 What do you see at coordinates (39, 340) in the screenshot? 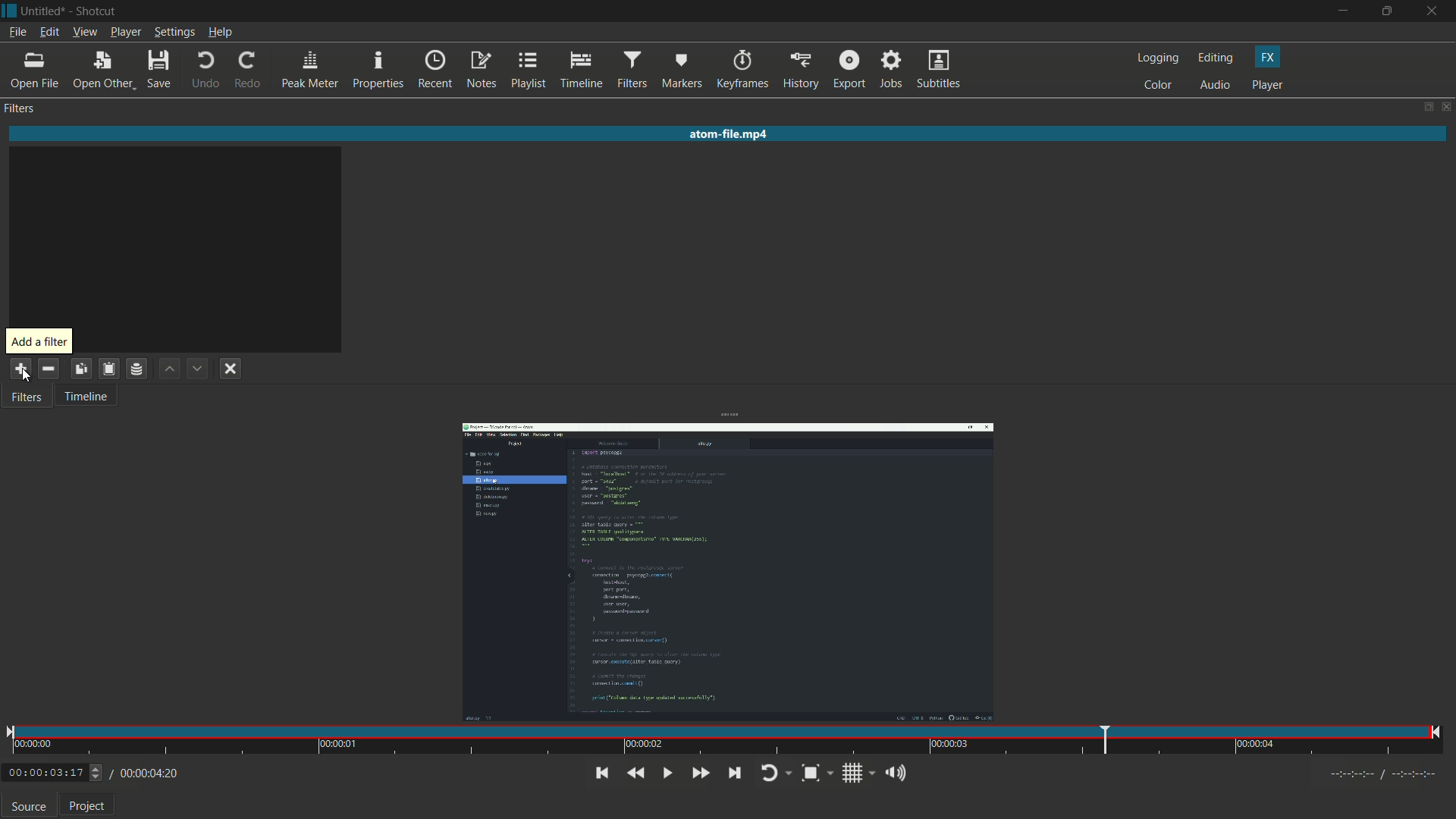
I see `add aa filter pop up` at bounding box center [39, 340].